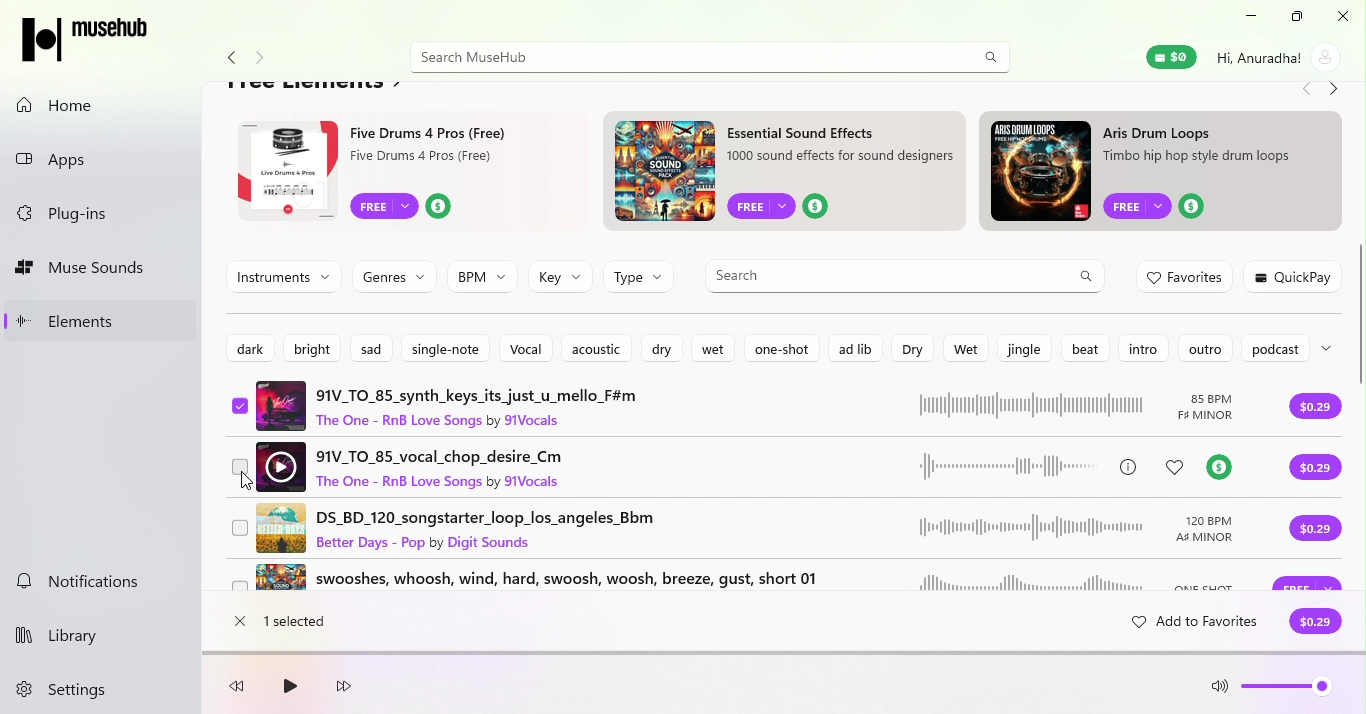 Image resolution: width=1366 pixels, height=714 pixels. I want to click on MuseHub logo, so click(90, 38).